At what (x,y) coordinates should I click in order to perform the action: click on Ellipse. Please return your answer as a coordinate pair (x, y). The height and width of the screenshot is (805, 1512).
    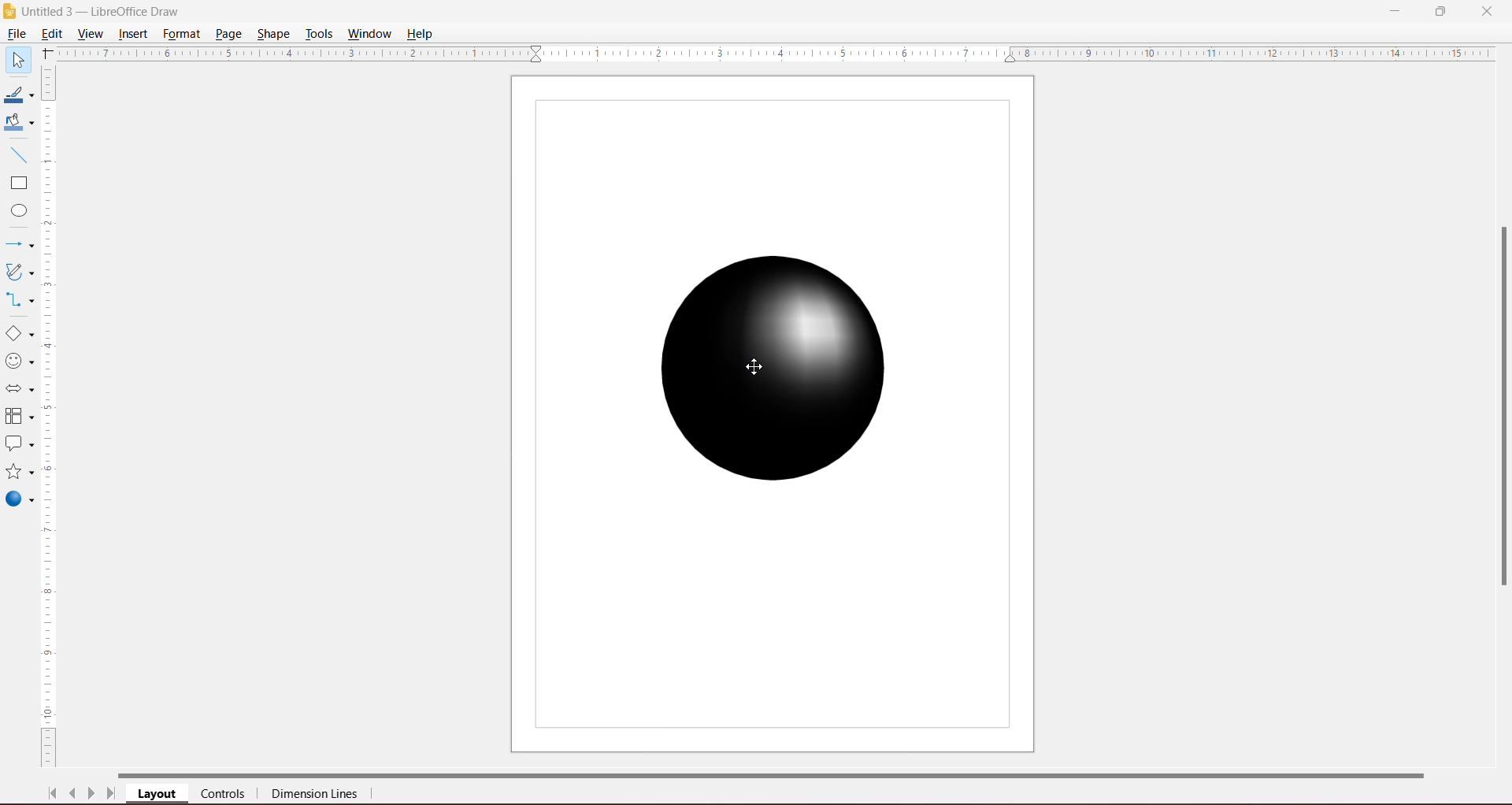
    Looking at the image, I should click on (15, 213).